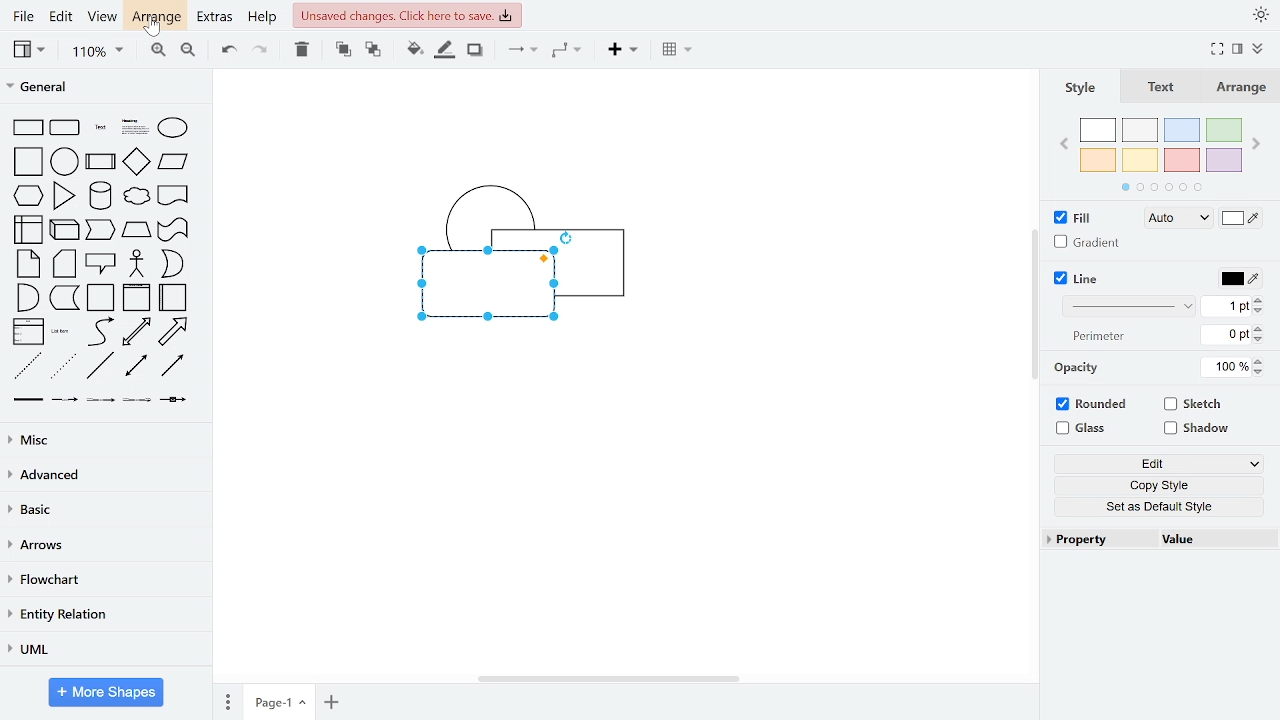  I want to click on heading, so click(134, 127).